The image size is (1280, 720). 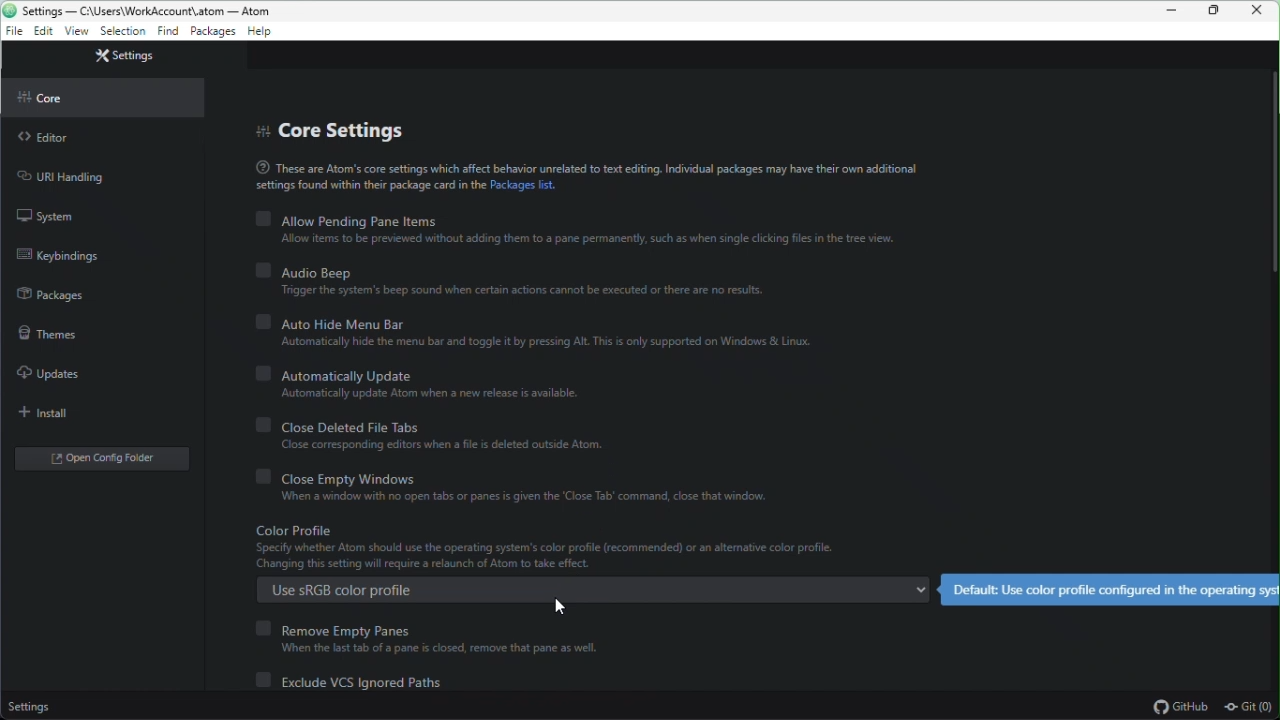 I want to click on Text, so click(x=584, y=177).